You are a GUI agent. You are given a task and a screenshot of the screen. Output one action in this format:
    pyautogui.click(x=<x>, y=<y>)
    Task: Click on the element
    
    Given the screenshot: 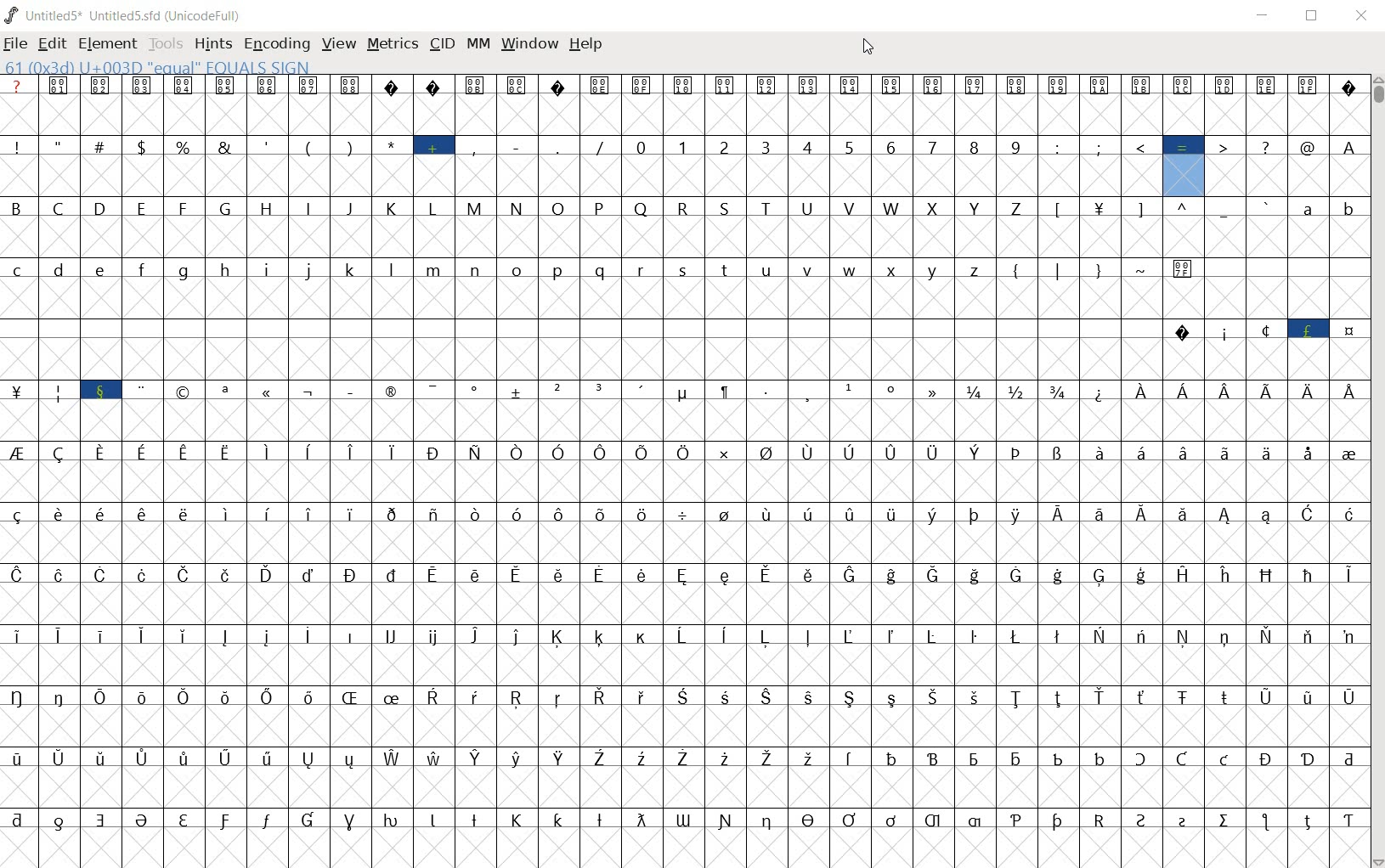 What is the action you would take?
    pyautogui.click(x=107, y=44)
    